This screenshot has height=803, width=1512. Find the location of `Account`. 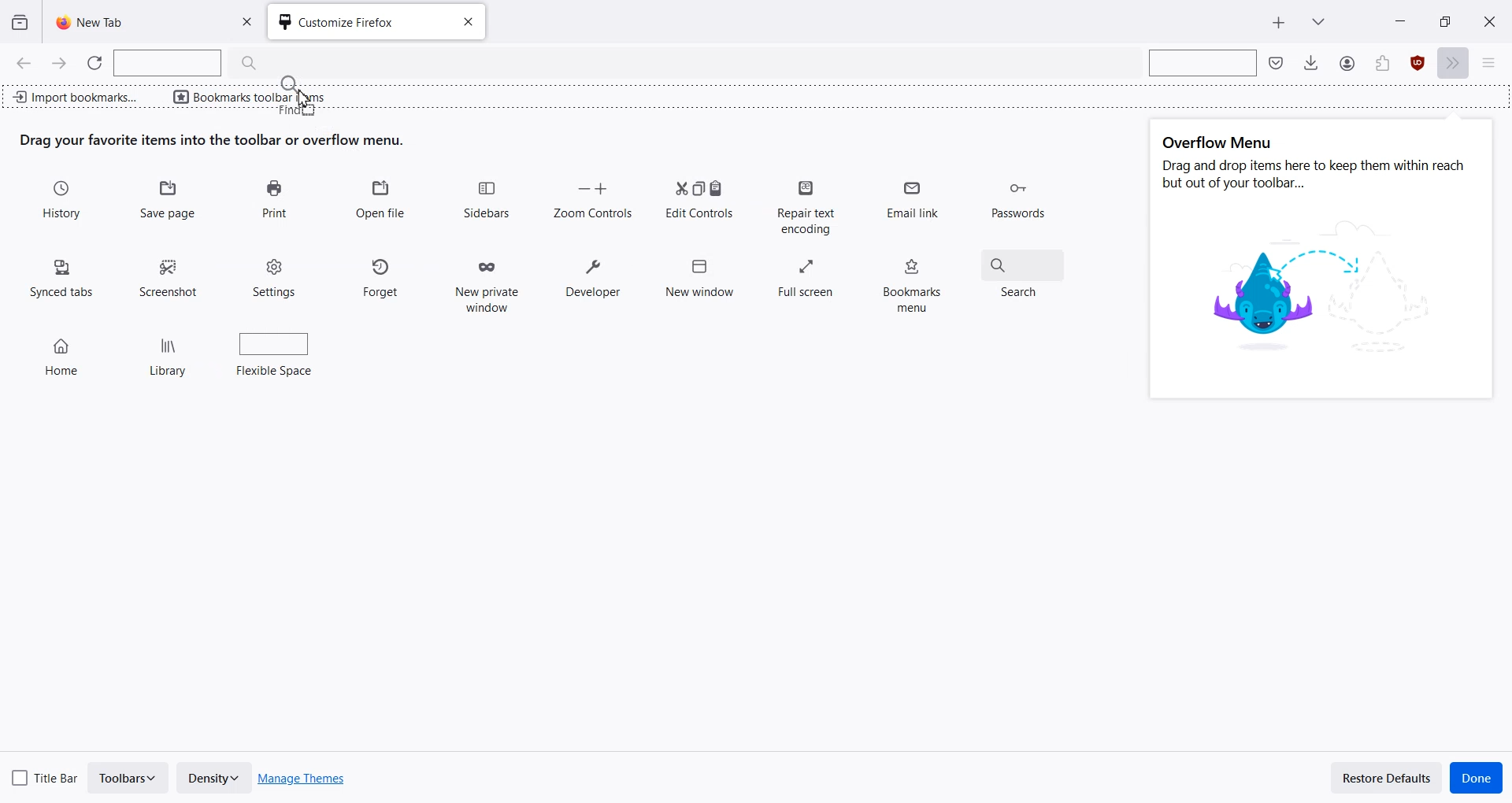

Account is located at coordinates (1382, 64).